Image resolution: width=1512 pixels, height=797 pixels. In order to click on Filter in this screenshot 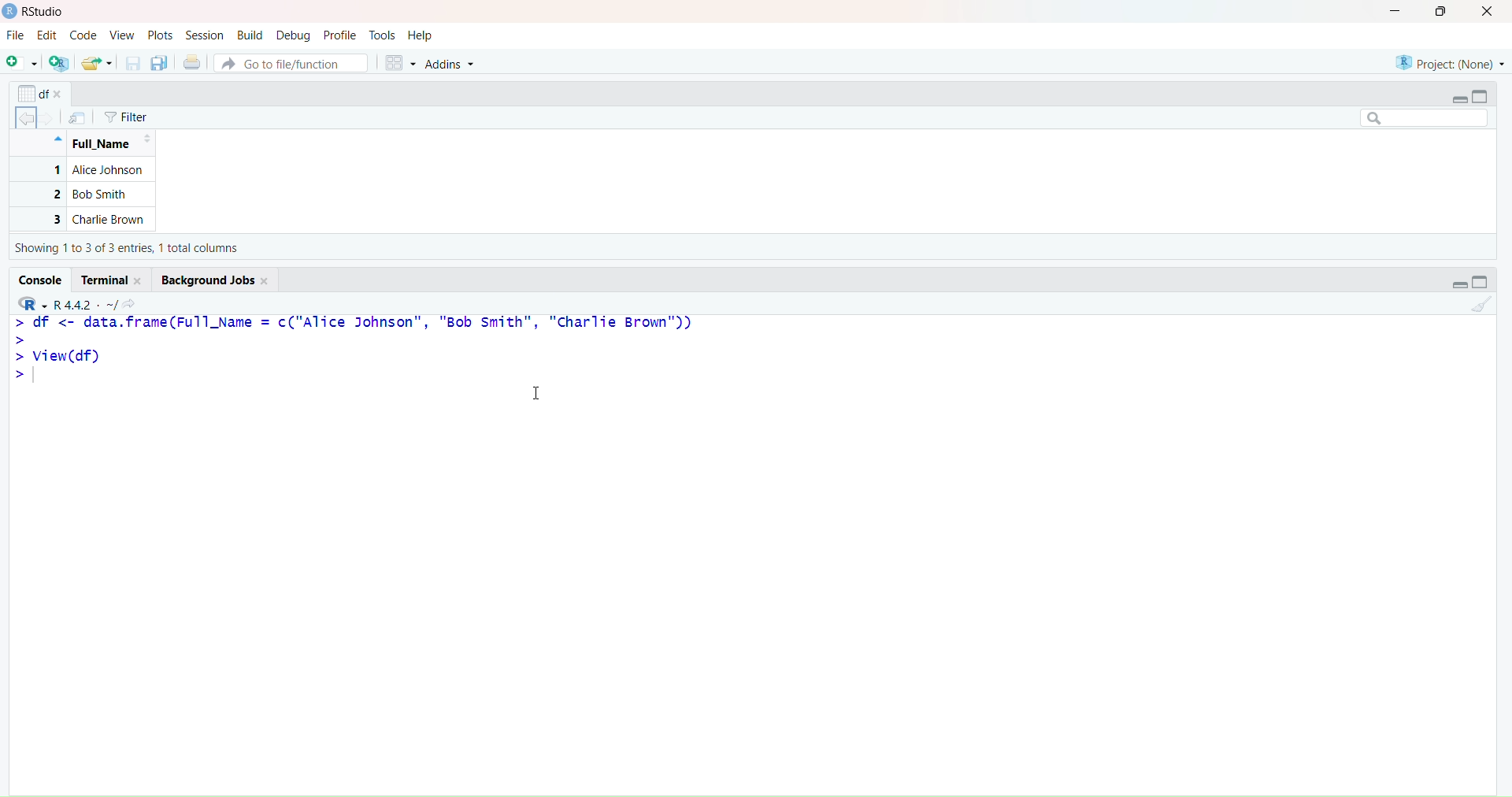, I will do `click(127, 117)`.